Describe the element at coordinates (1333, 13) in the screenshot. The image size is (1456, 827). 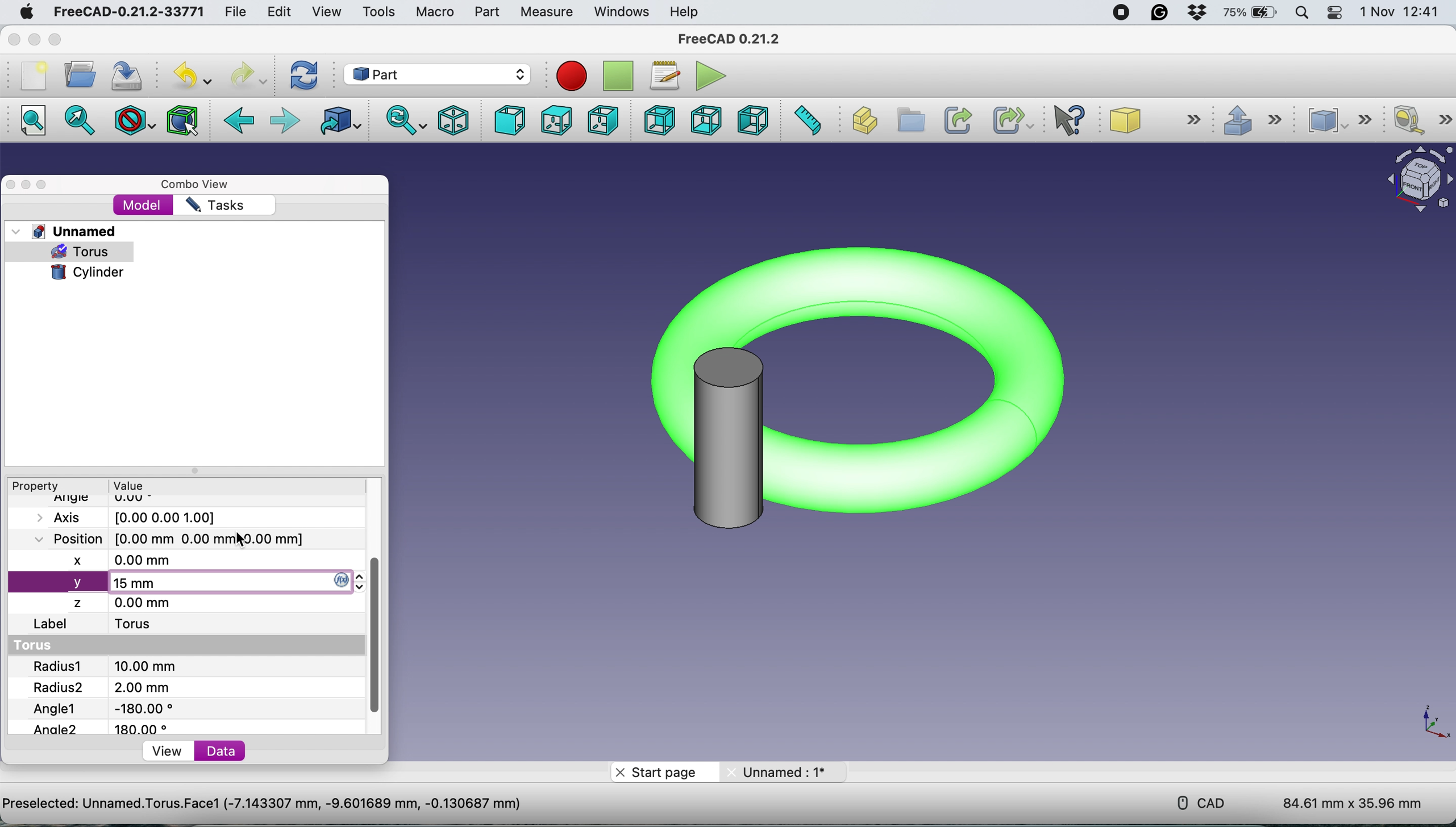
I see `control center` at that location.